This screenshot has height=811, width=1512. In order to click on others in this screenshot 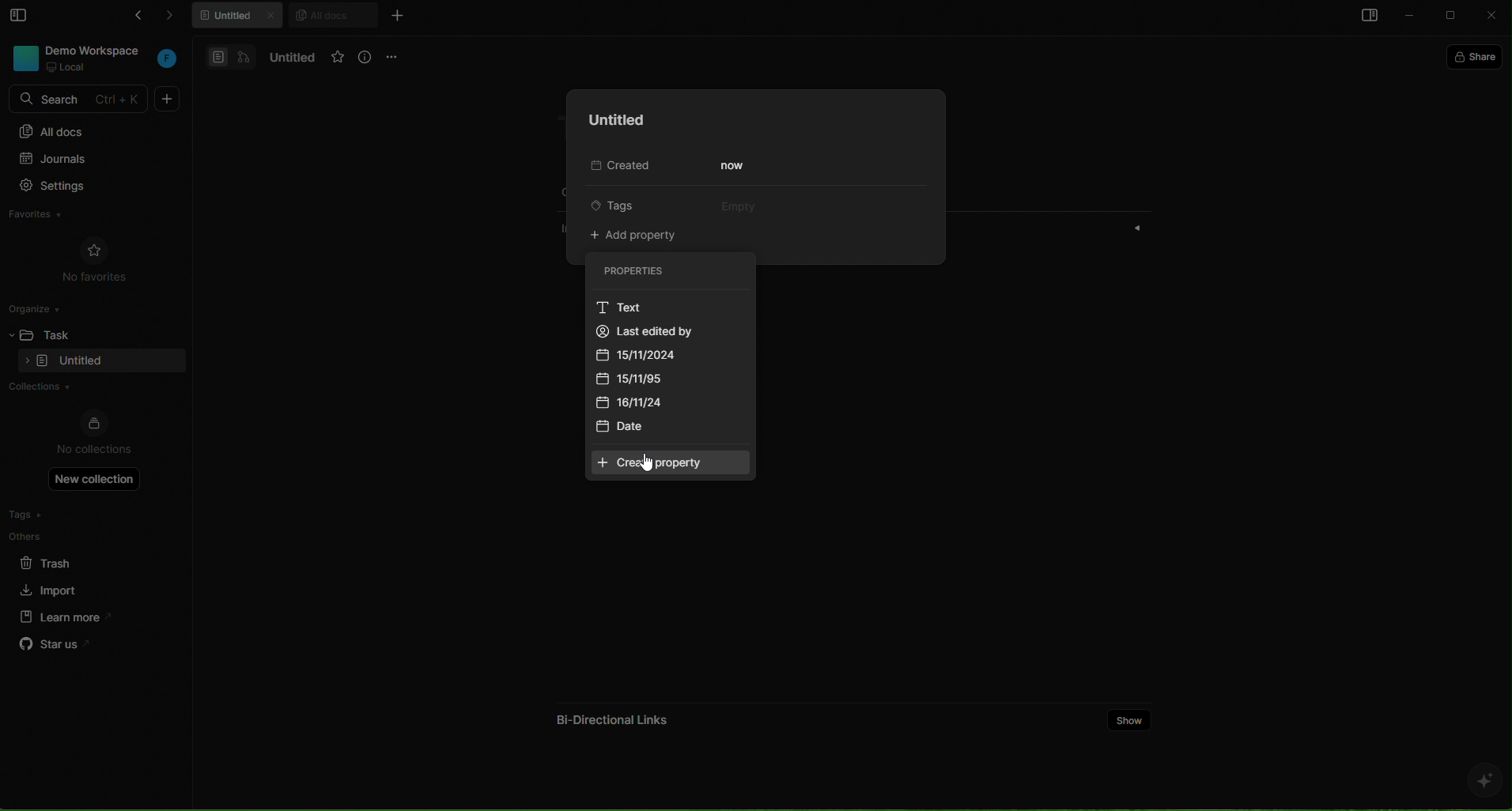, I will do `click(59, 536)`.